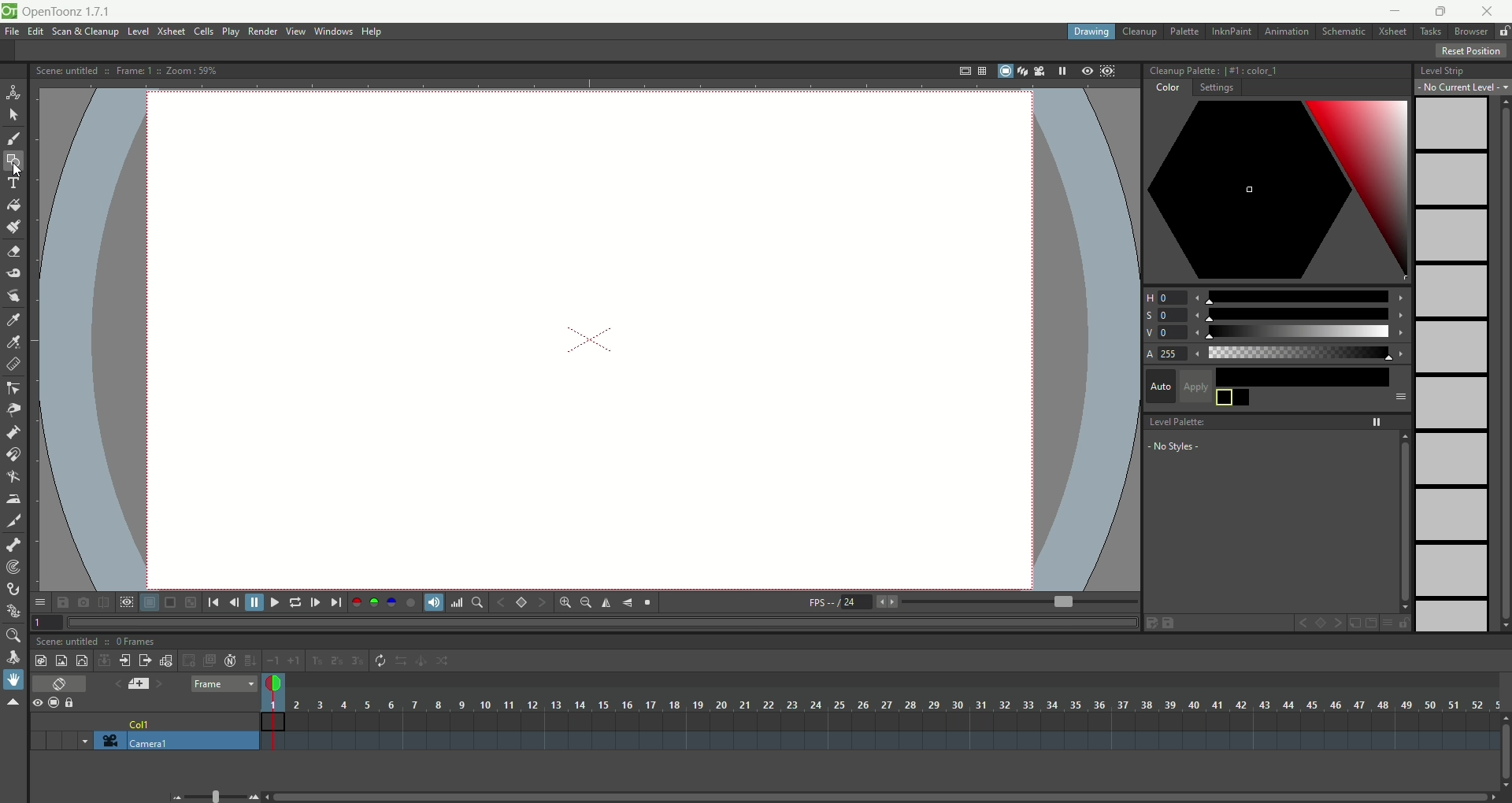 The width and height of the screenshot is (1512, 803). I want to click on camera stand visibility, so click(57, 701).